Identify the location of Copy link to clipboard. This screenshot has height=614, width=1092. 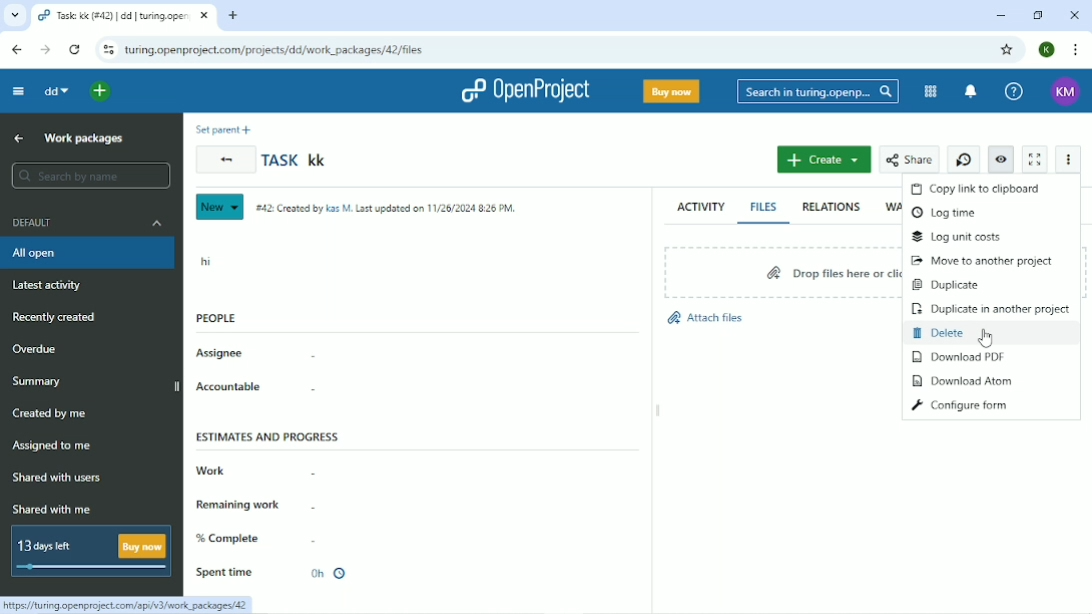
(977, 189).